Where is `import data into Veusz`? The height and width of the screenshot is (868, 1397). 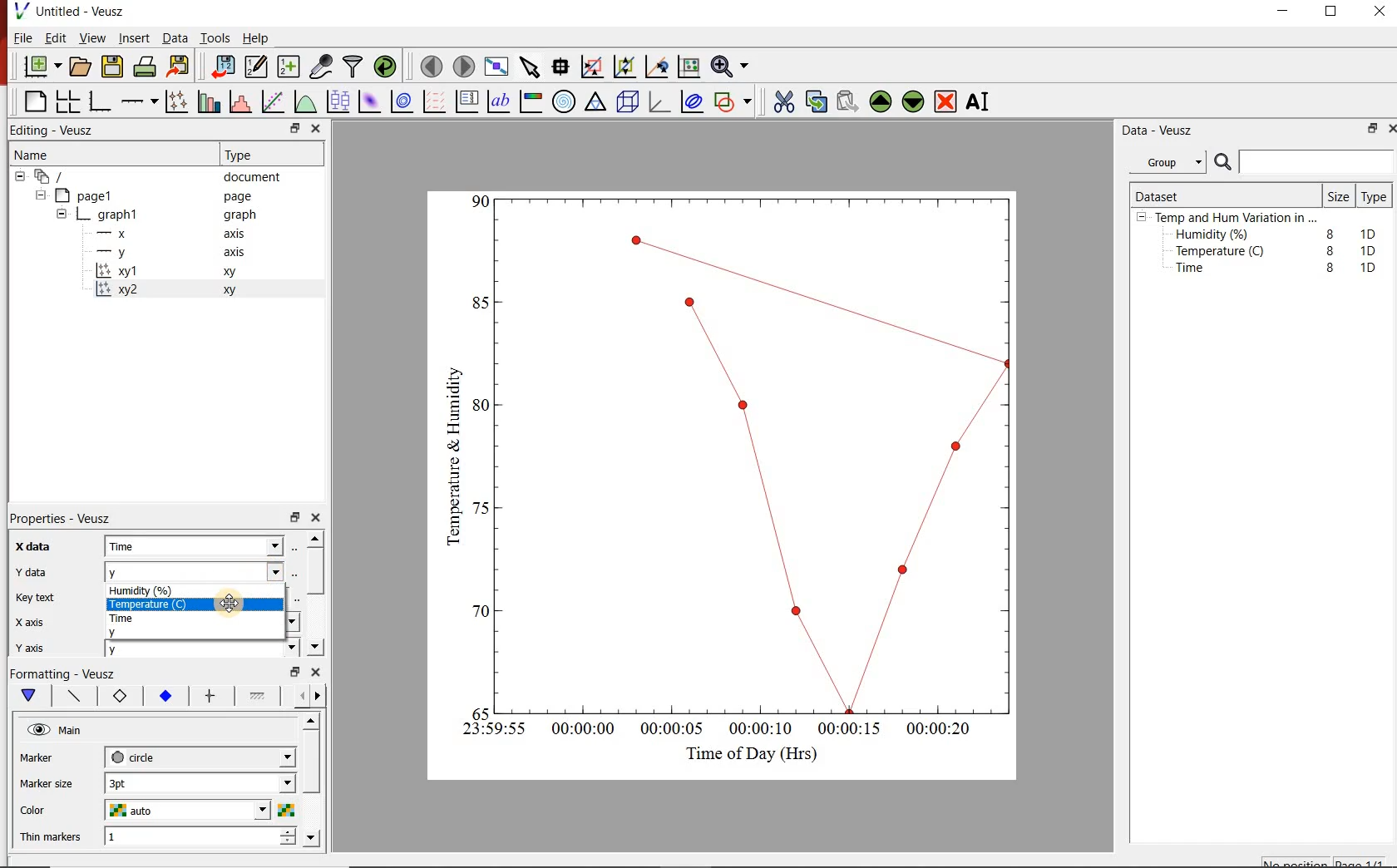 import data into Veusz is located at coordinates (222, 65).